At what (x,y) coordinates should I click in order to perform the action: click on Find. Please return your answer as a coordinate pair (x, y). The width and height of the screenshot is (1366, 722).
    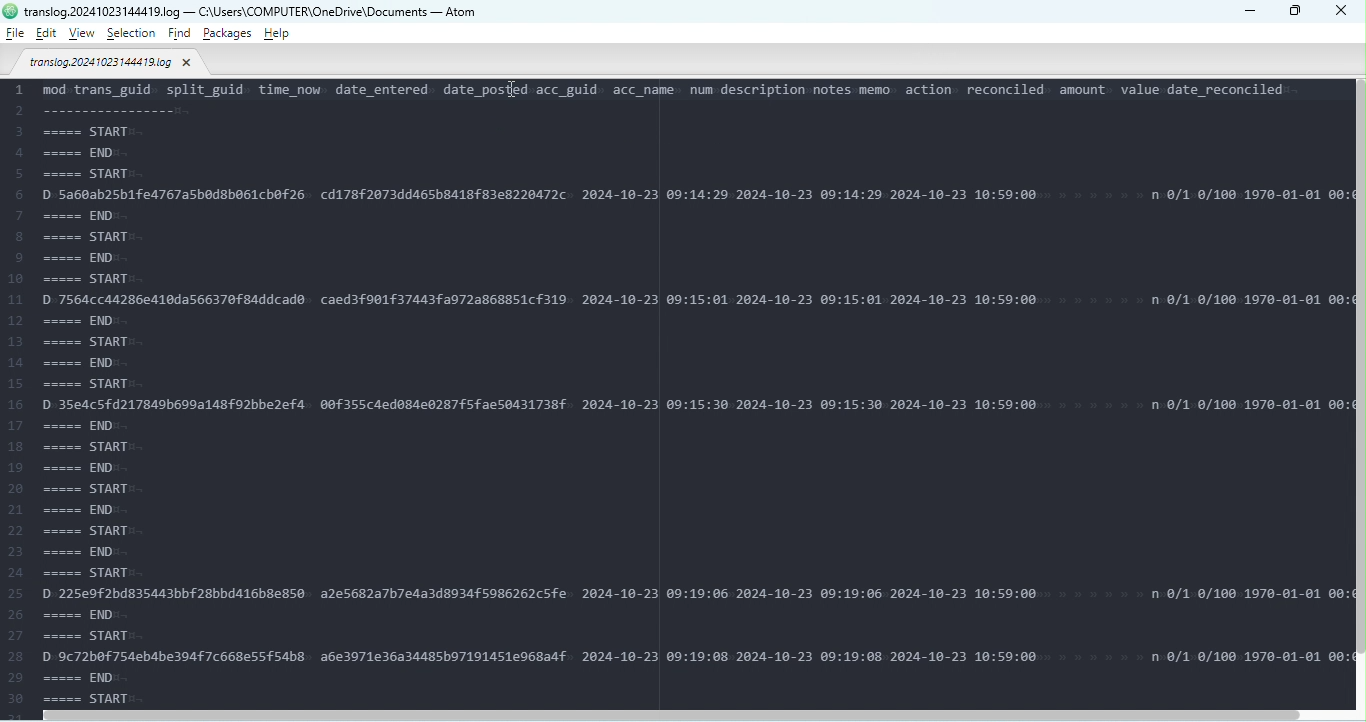
    Looking at the image, I should click on (181, 35).